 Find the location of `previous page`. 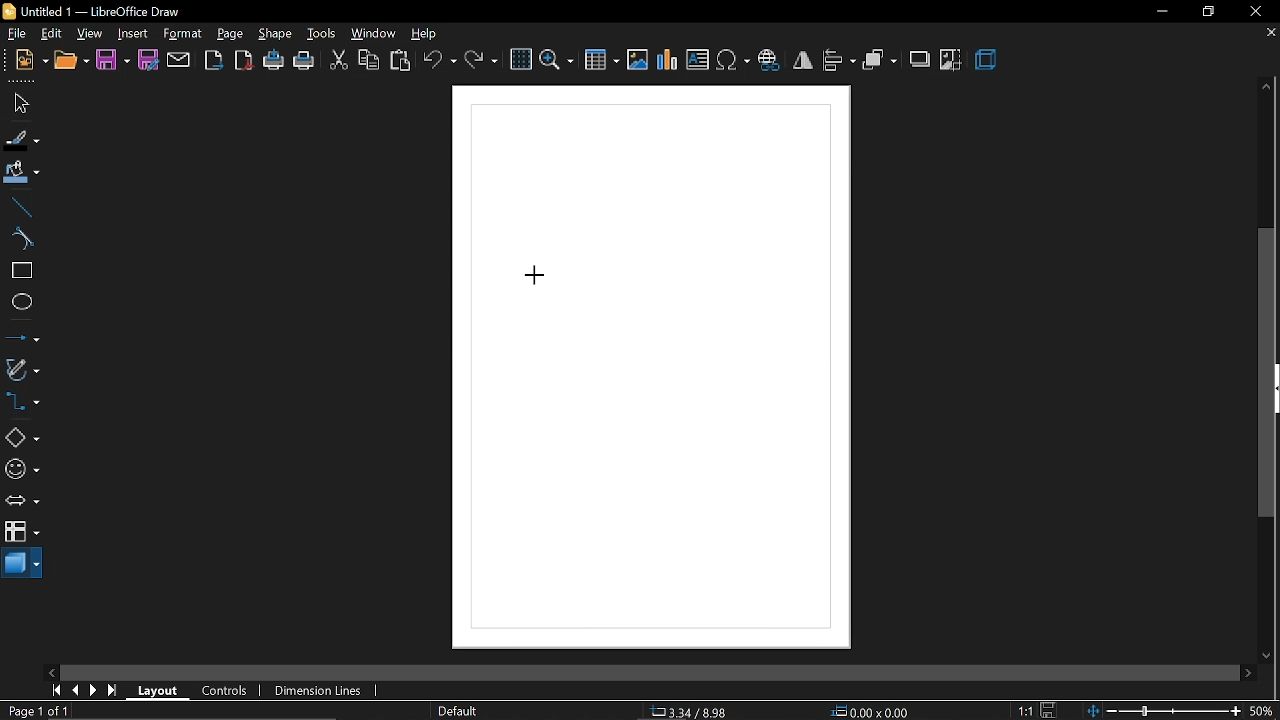

previous page is located at coordinates (72, 691).